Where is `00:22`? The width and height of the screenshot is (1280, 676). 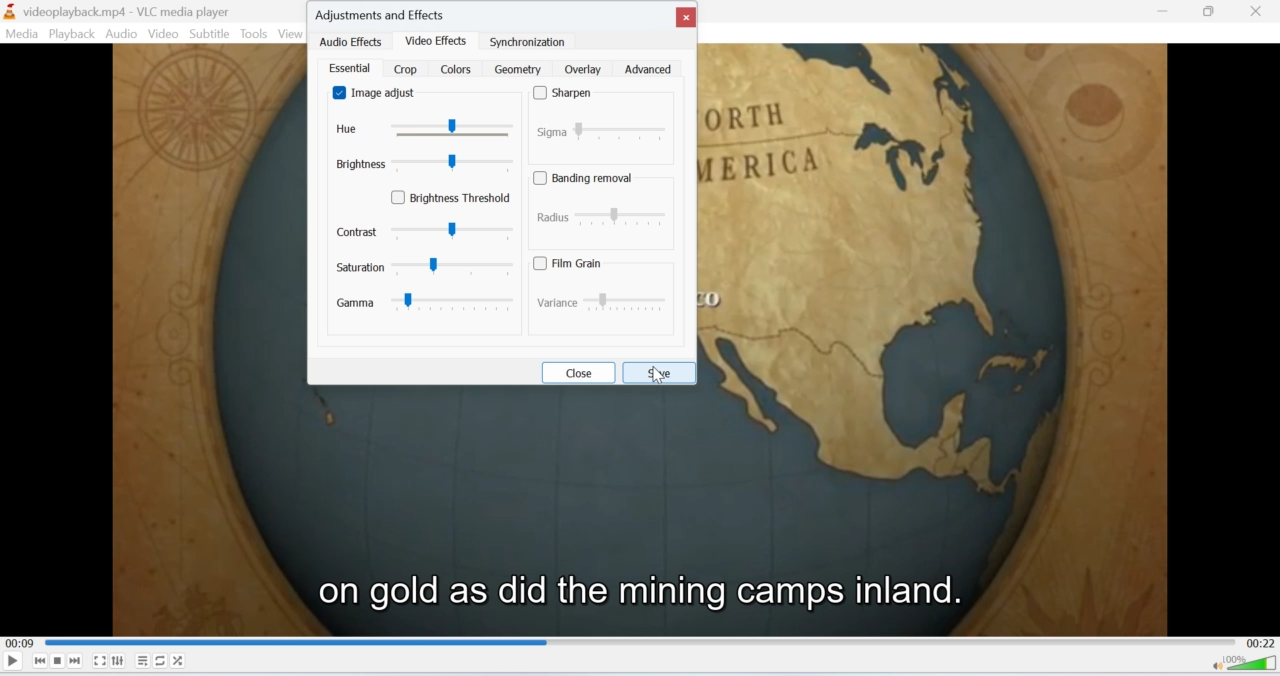
00:22 is located at coordinates (1261, 642).